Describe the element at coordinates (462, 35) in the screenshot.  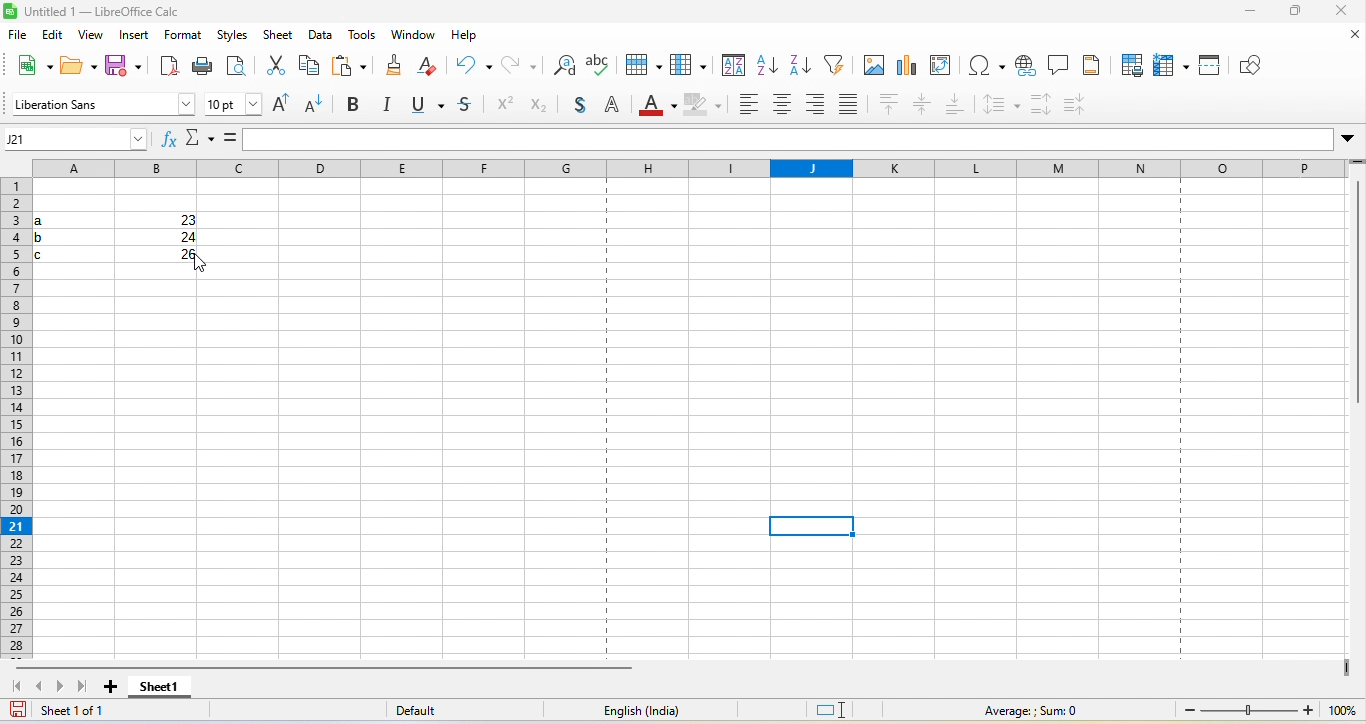
I see `help` at that location.